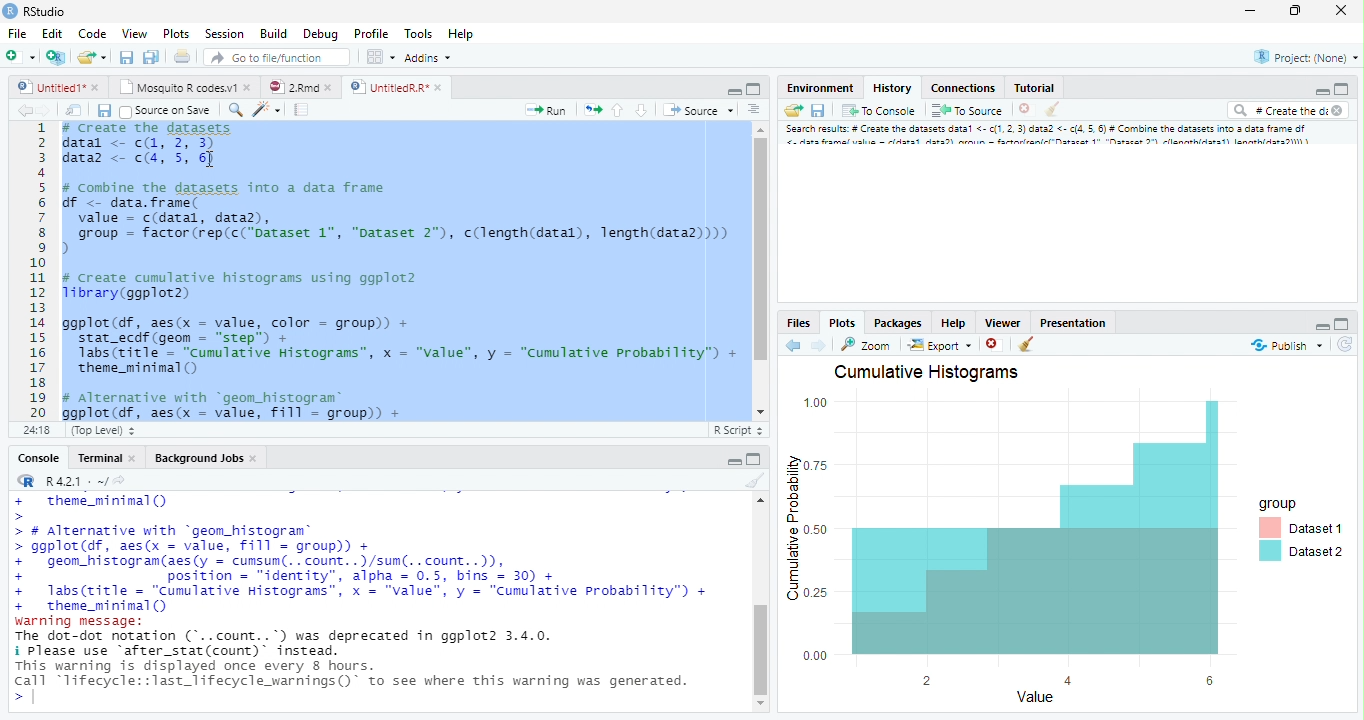 Image resolution: width=1364 pixels, height=720 pixels. What do you see at coordinates (165, 112) in the screenshot?
I see `Source on Save` at bounding box center [165, 112].